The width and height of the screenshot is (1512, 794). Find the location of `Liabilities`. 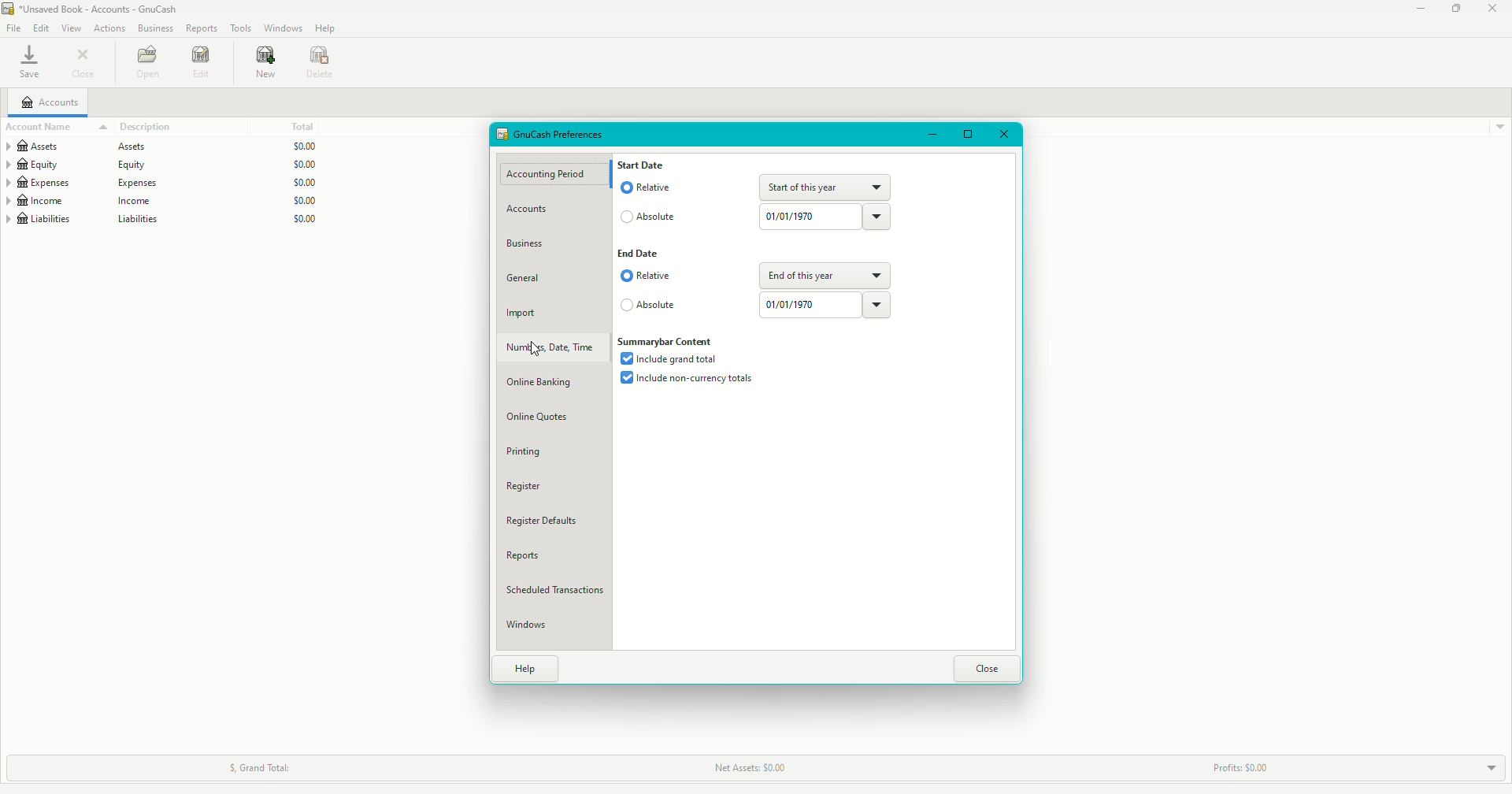

Liabilities is located at coordinates (163, 221).